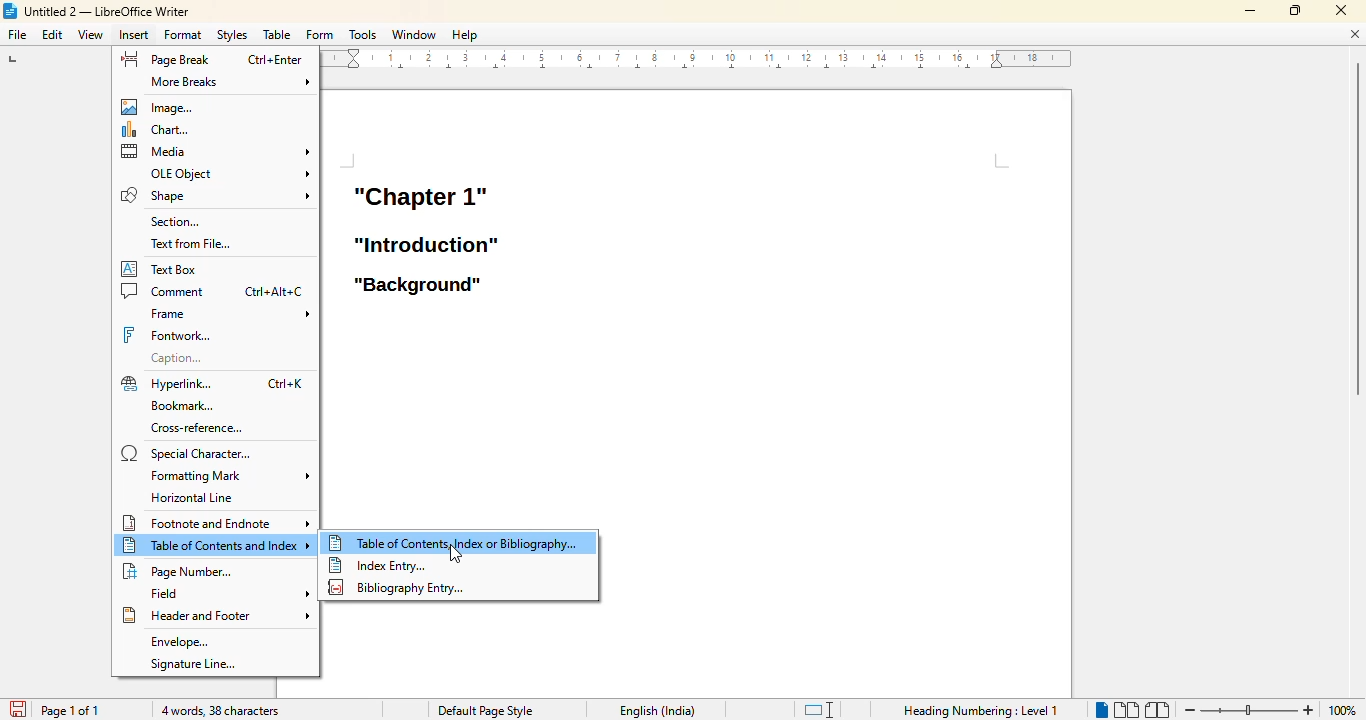  What do you see at coordinates (214, 195) in the screenshot?
I see `shape` at bounding box center [214, 195].